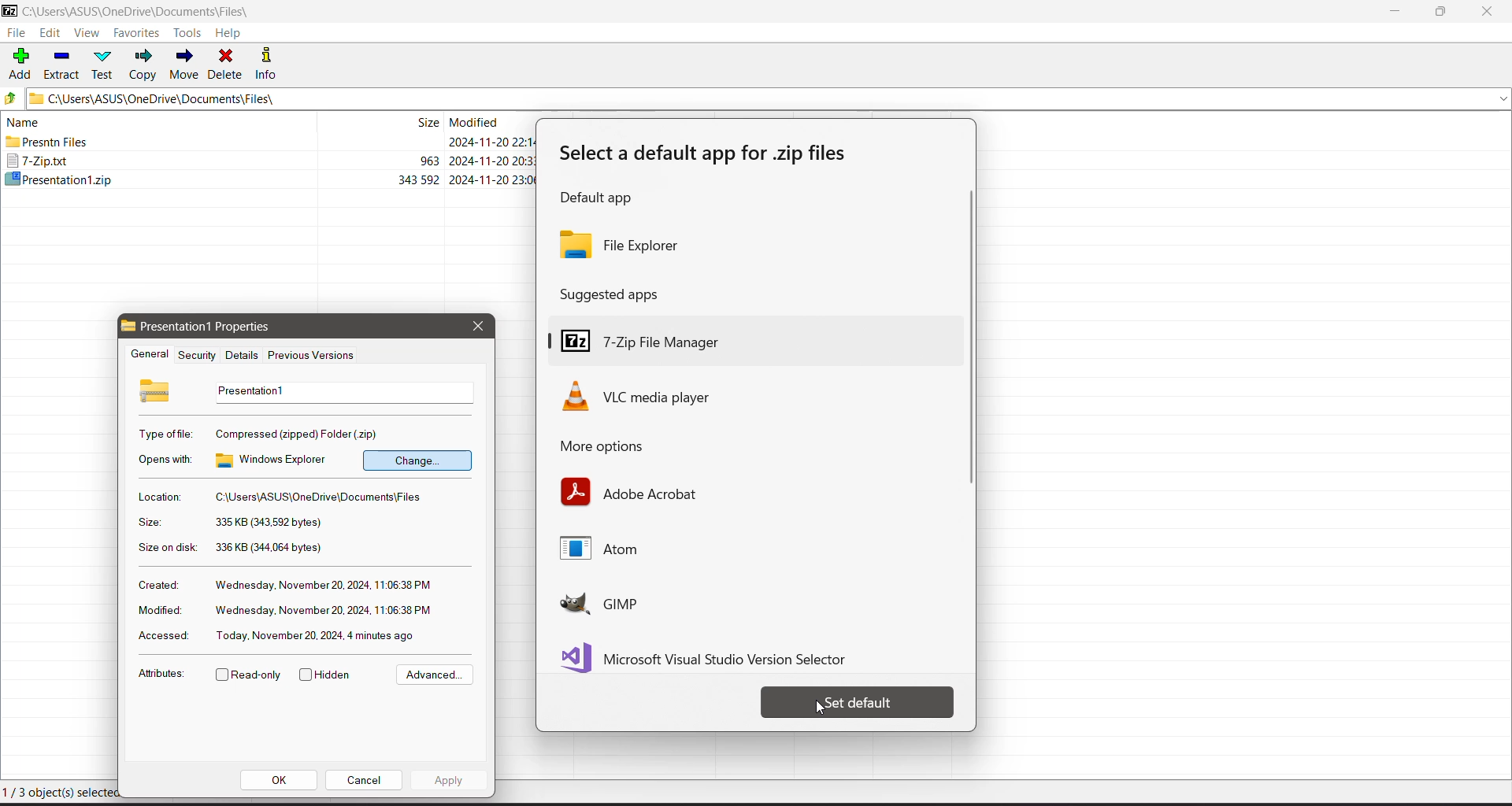 The width and height of the screenshot is (1512, 806). I want to click on Microsoft Visual Studio Version Selector, so click(712, 655).